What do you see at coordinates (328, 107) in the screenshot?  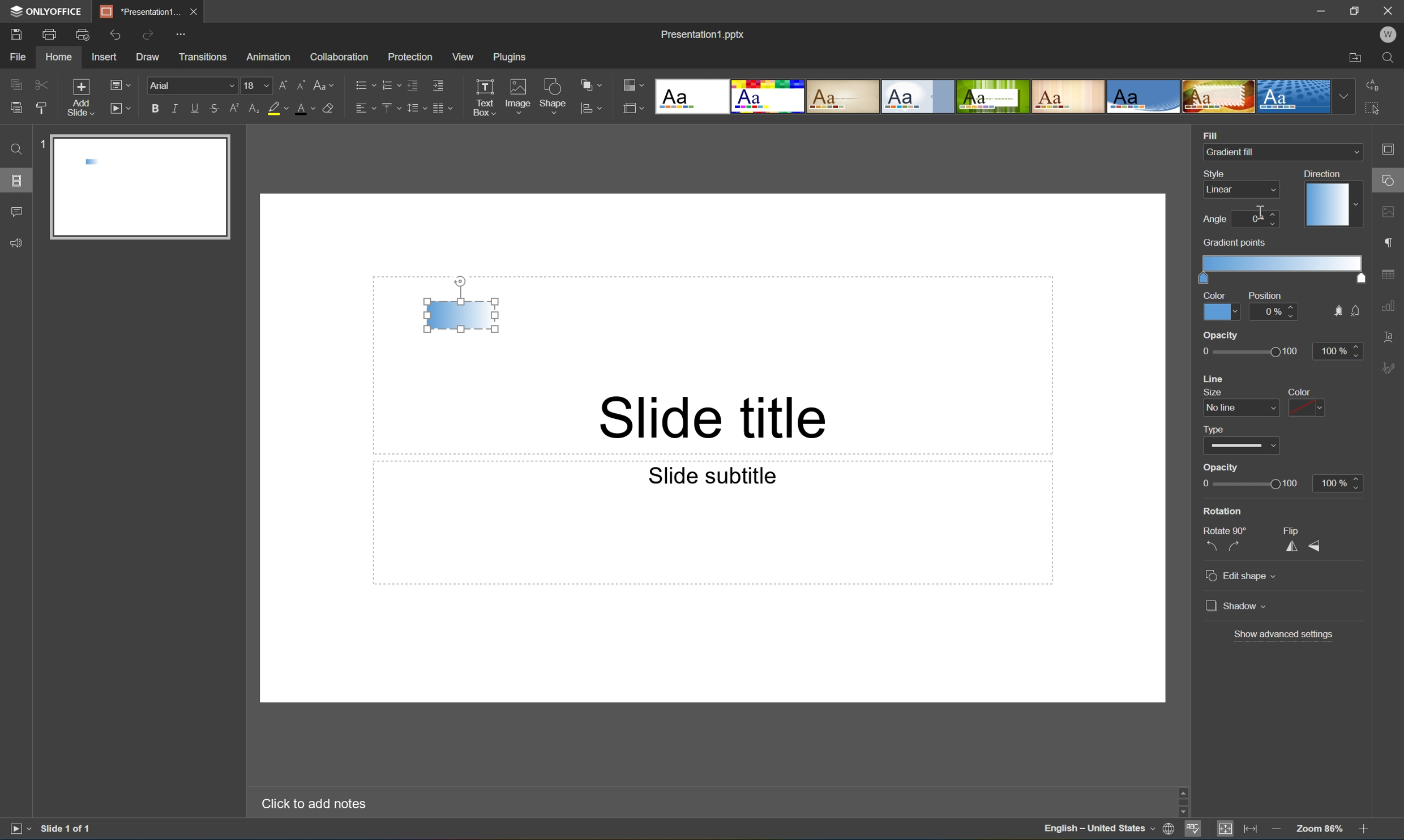 I see `Clear style` at bounding box center [328, 107].